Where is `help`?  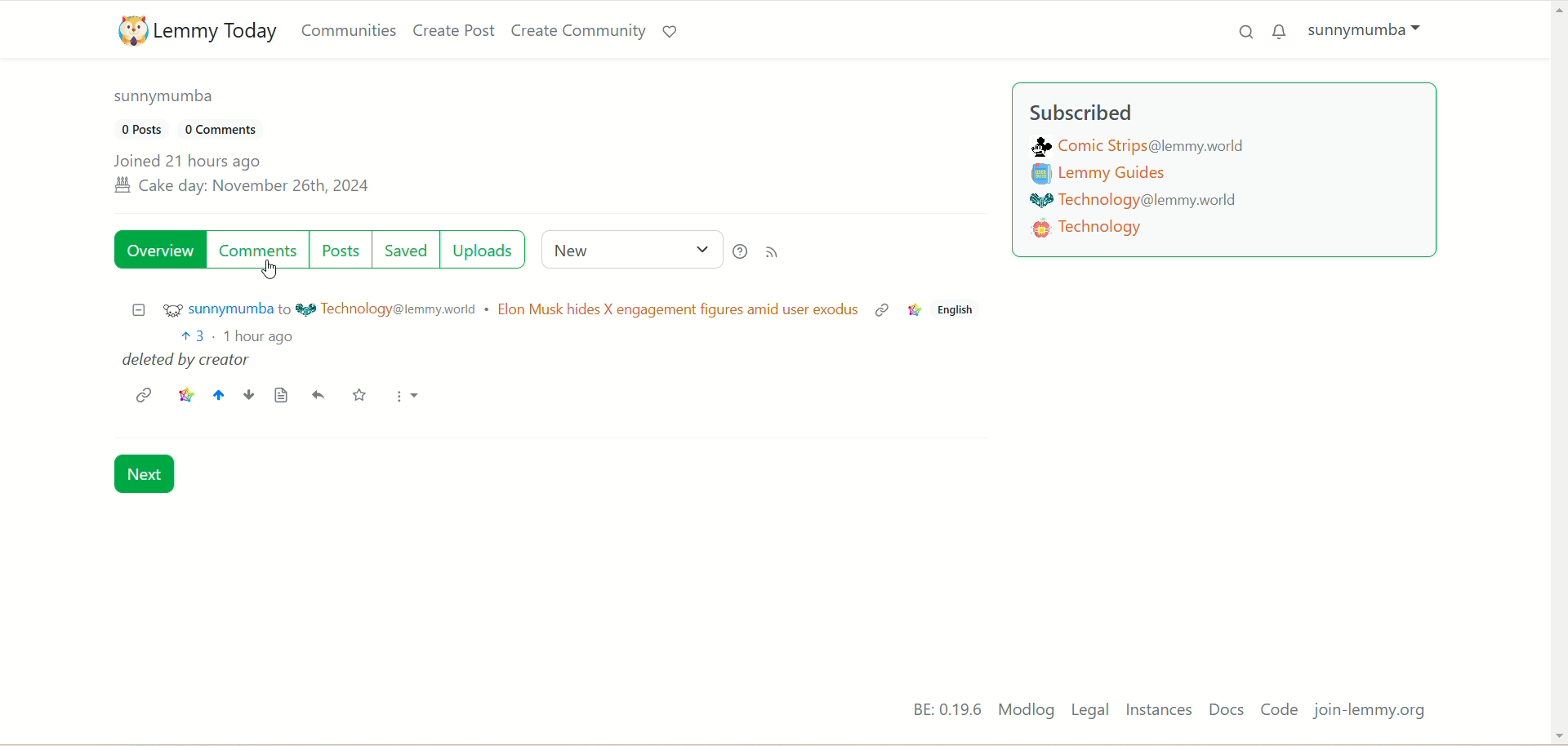 help is located at coordinates (739, 250).